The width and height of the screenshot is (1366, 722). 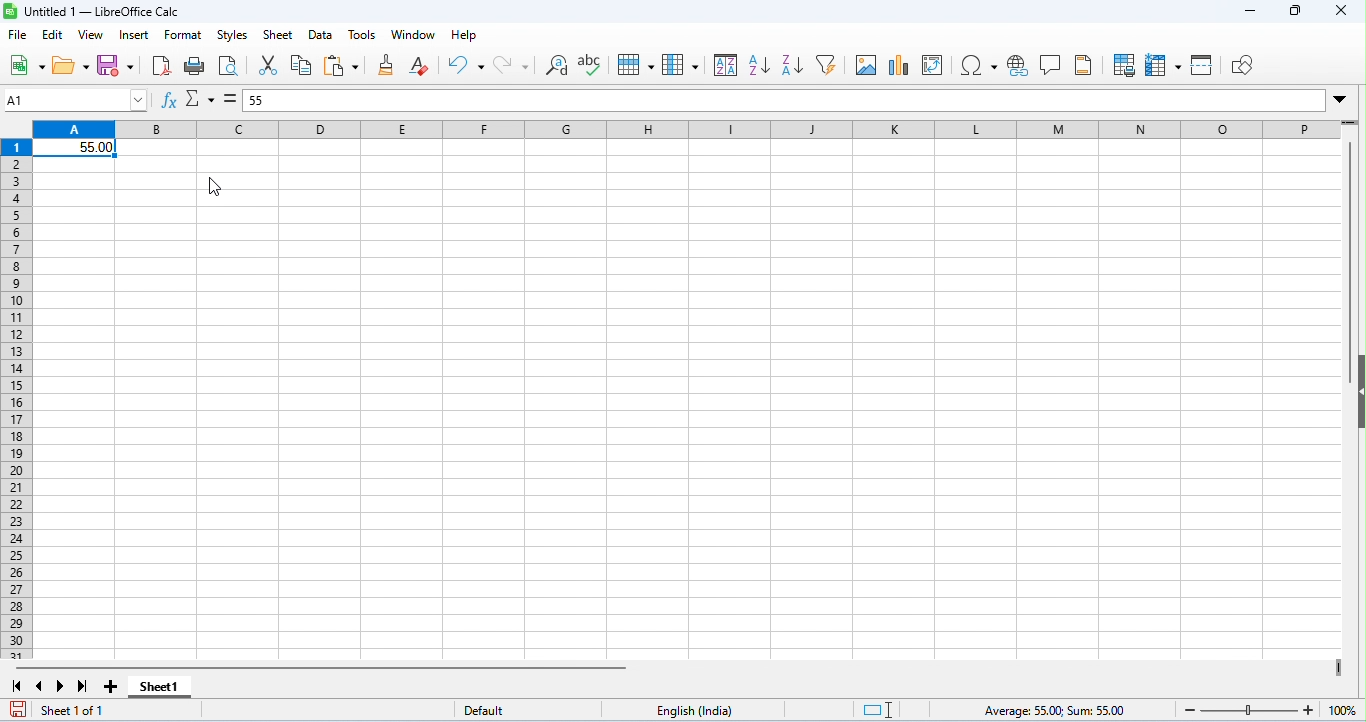 I want to click on english, so click(x=698, y=711).